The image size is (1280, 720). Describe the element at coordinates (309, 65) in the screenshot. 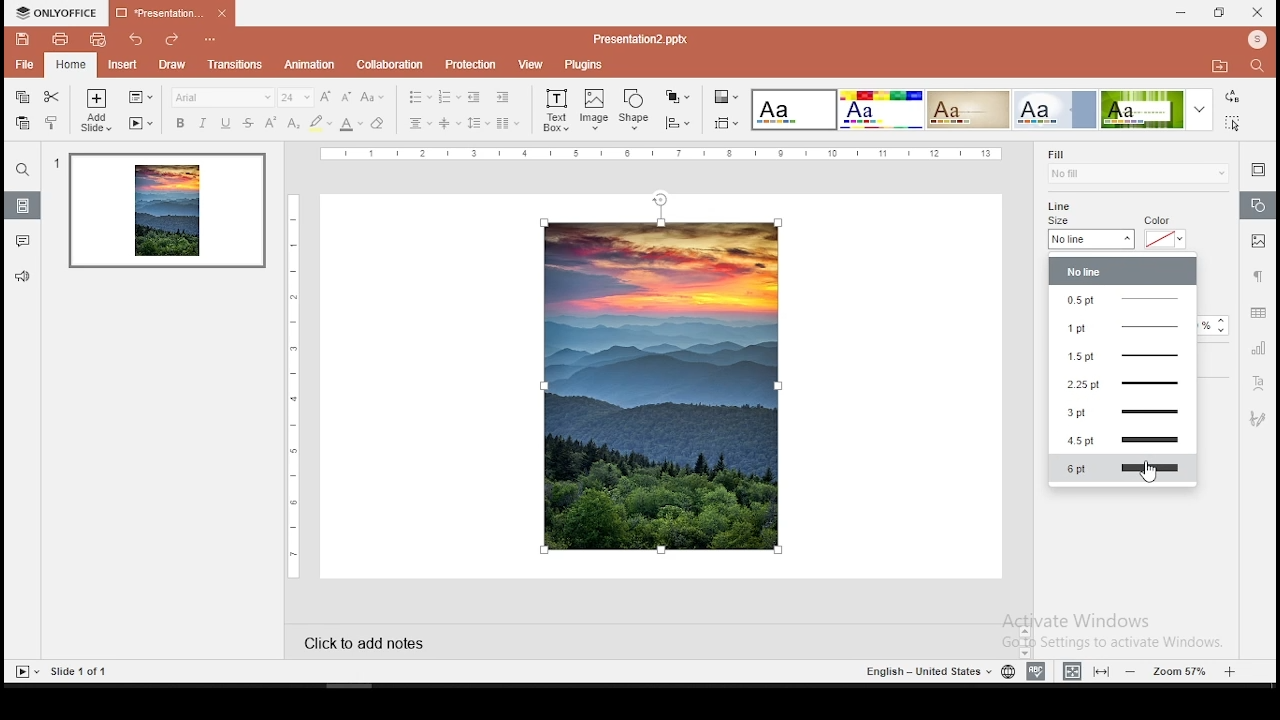

I see `animation` at that location.